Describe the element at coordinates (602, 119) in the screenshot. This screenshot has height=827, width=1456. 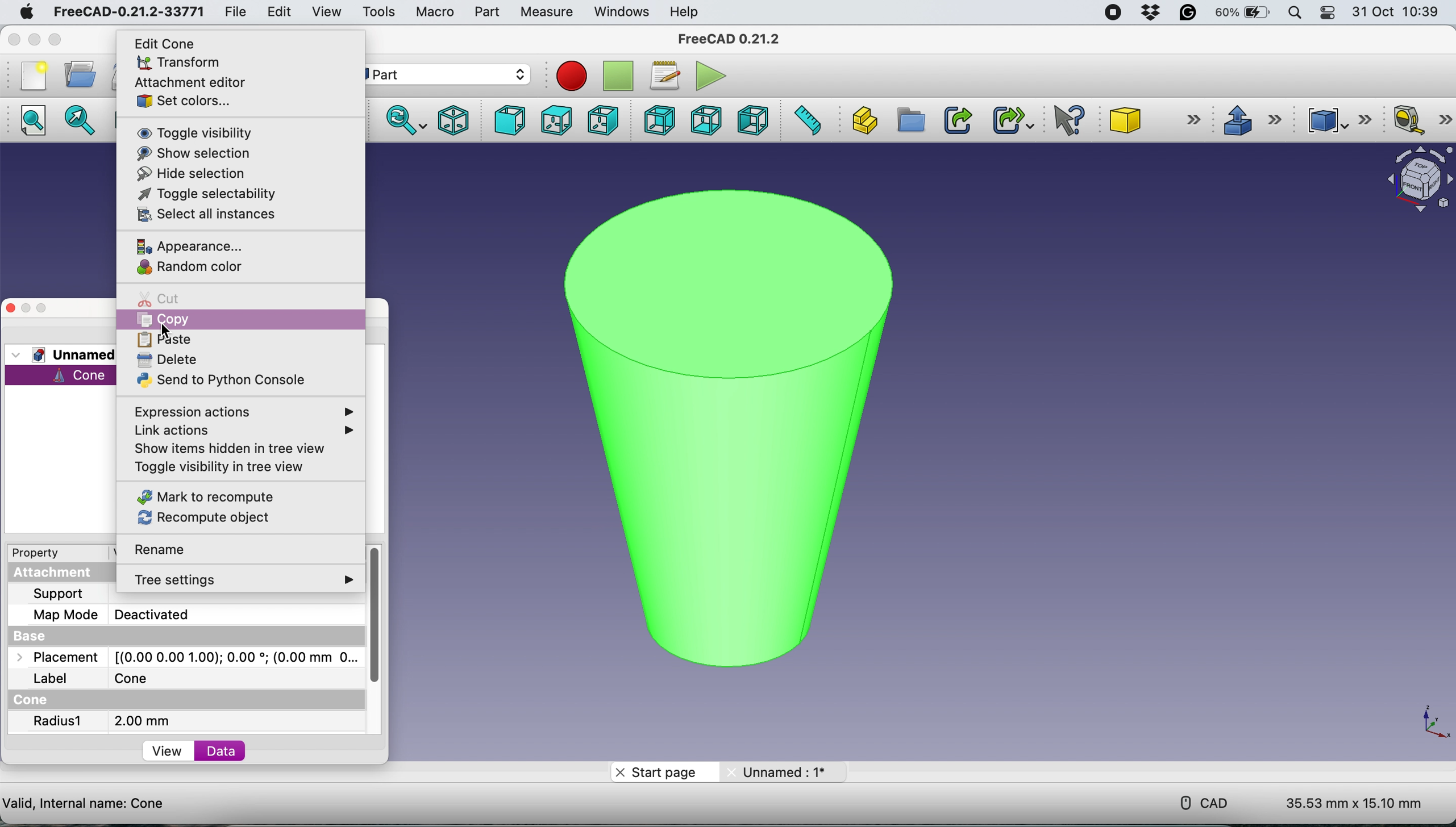
I see `right` at that location.